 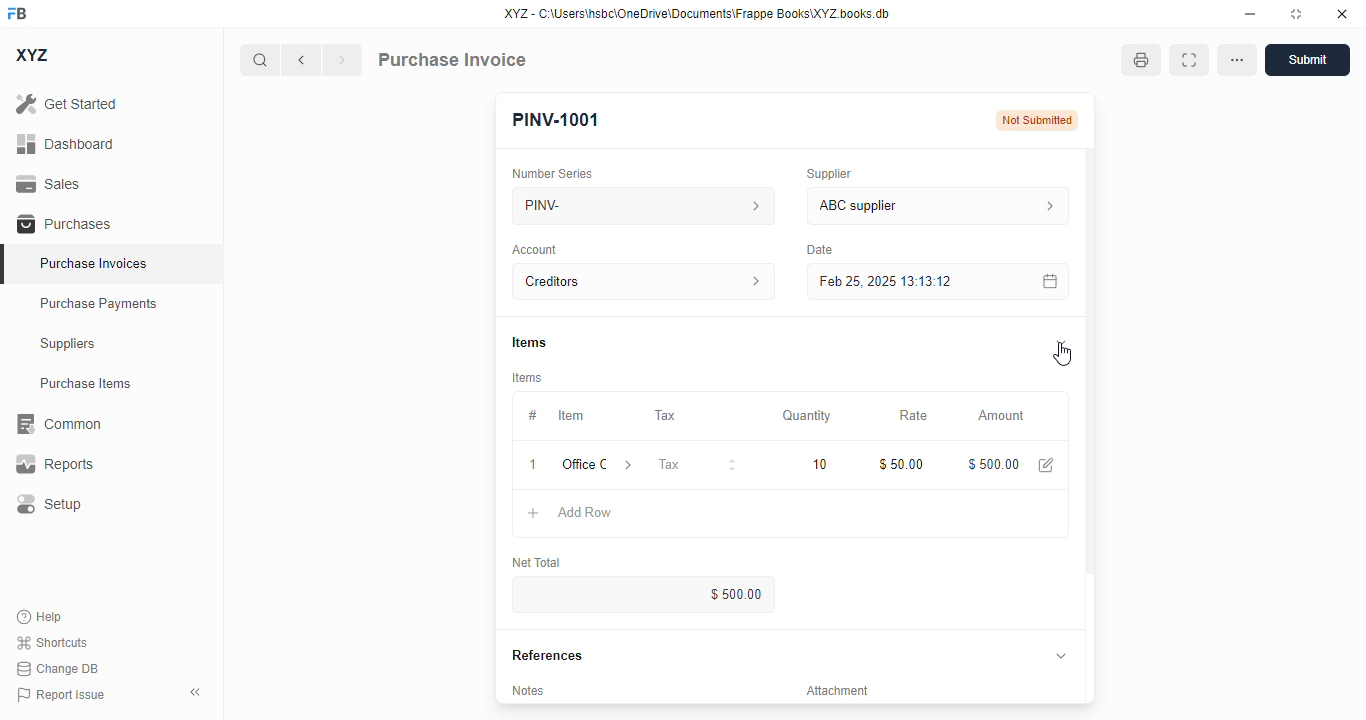 What do you see at coordinates (1250, 13) in the screenshot?
I see `minimize` at bounding box center [1250, 13].